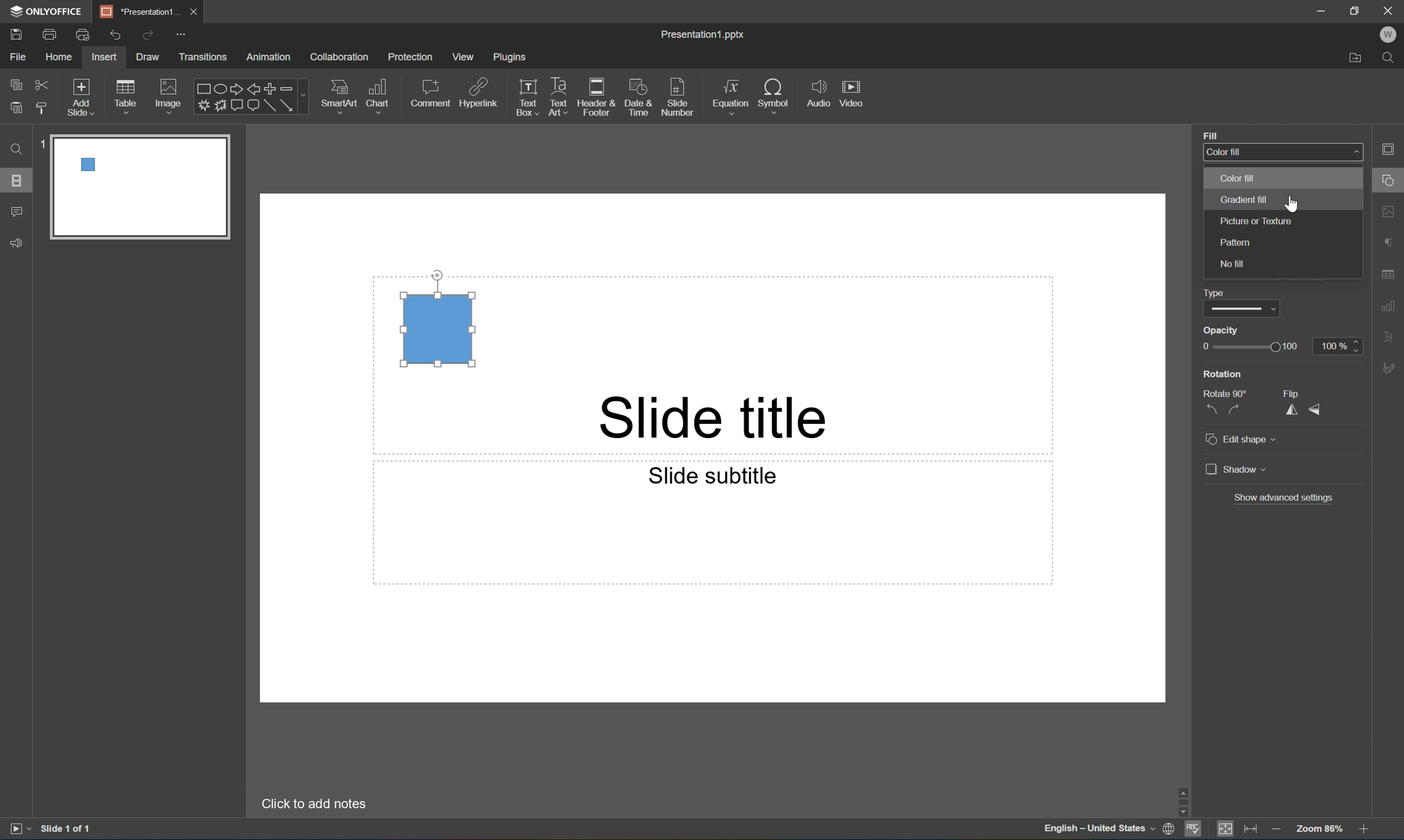 Image resolution: width=1404 pixels, height=840 pixels. I want to click on , so click(202, 106).